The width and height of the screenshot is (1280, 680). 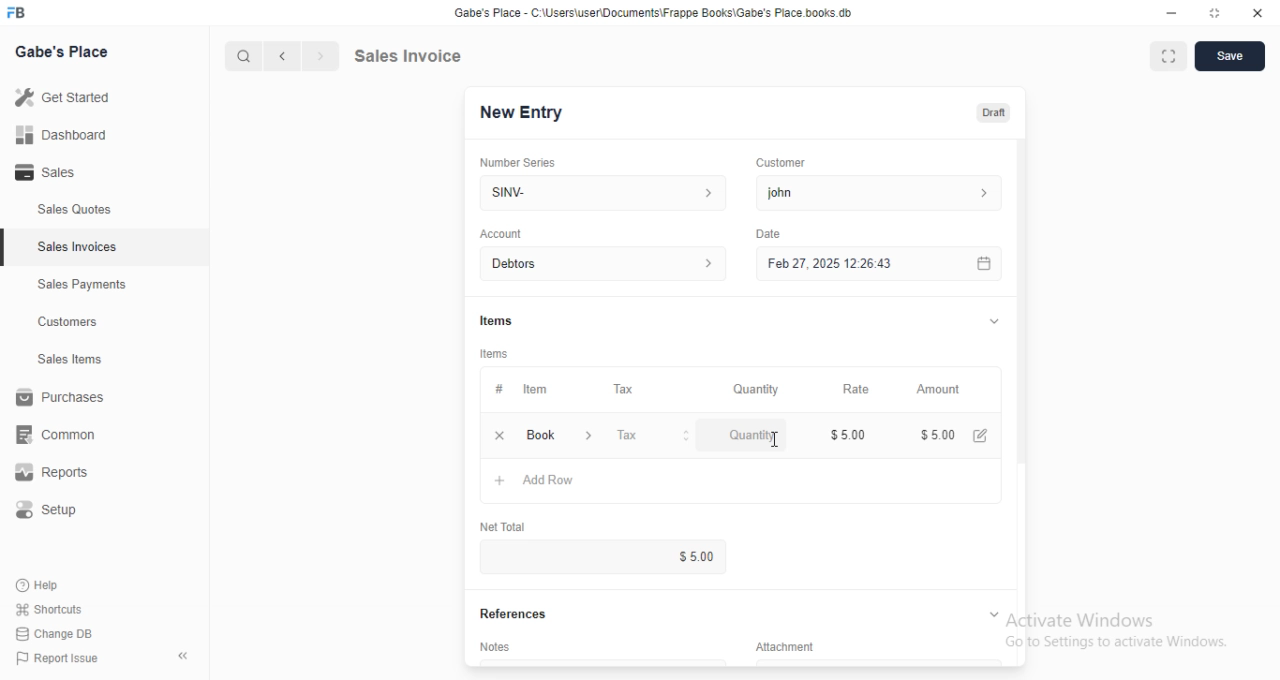 What do you see at coordinates (82, 285) in the screenshot?
I see `Sales Payments` at bounding box center [82, 285].